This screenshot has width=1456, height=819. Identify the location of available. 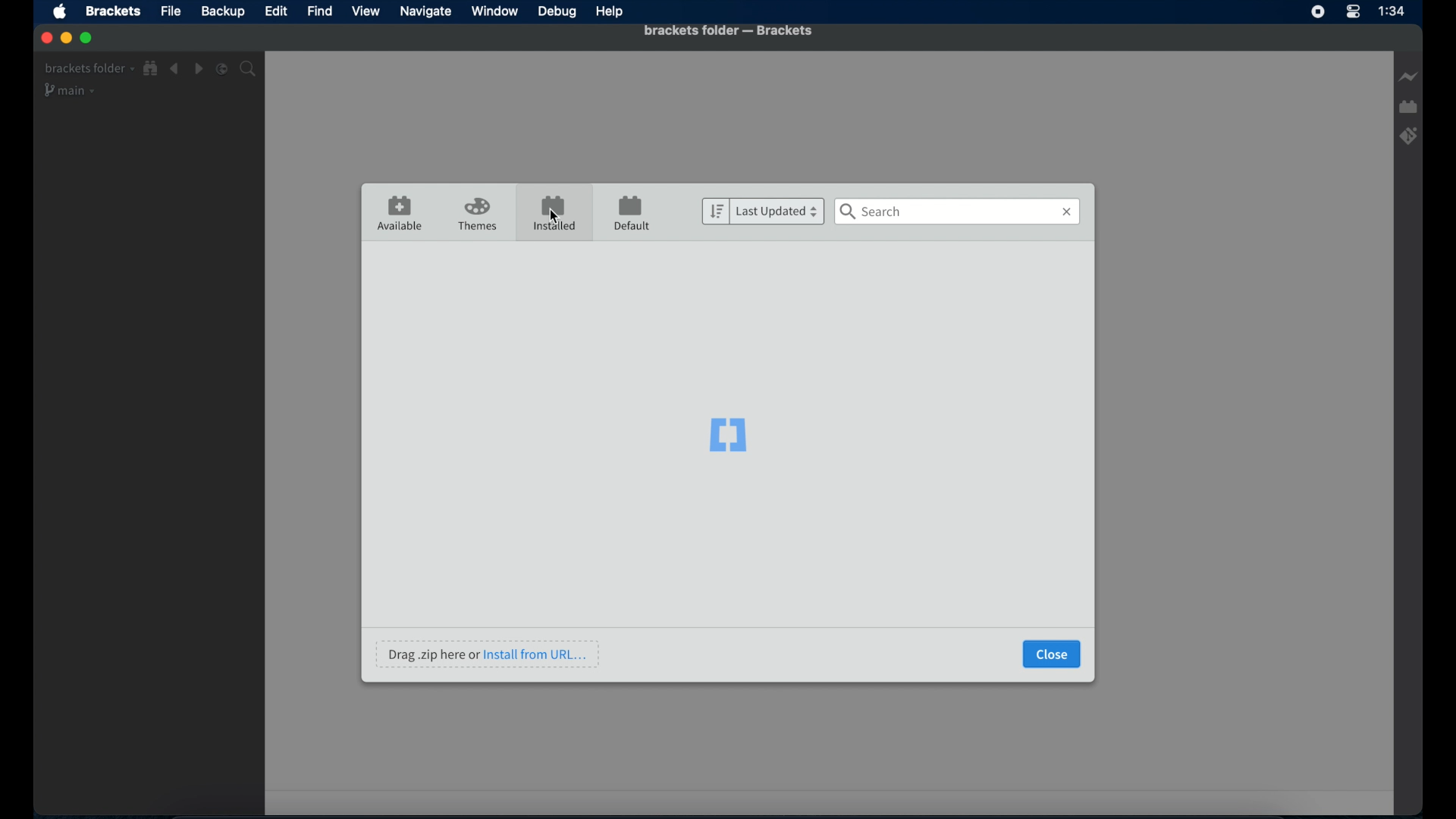
(400, 212).